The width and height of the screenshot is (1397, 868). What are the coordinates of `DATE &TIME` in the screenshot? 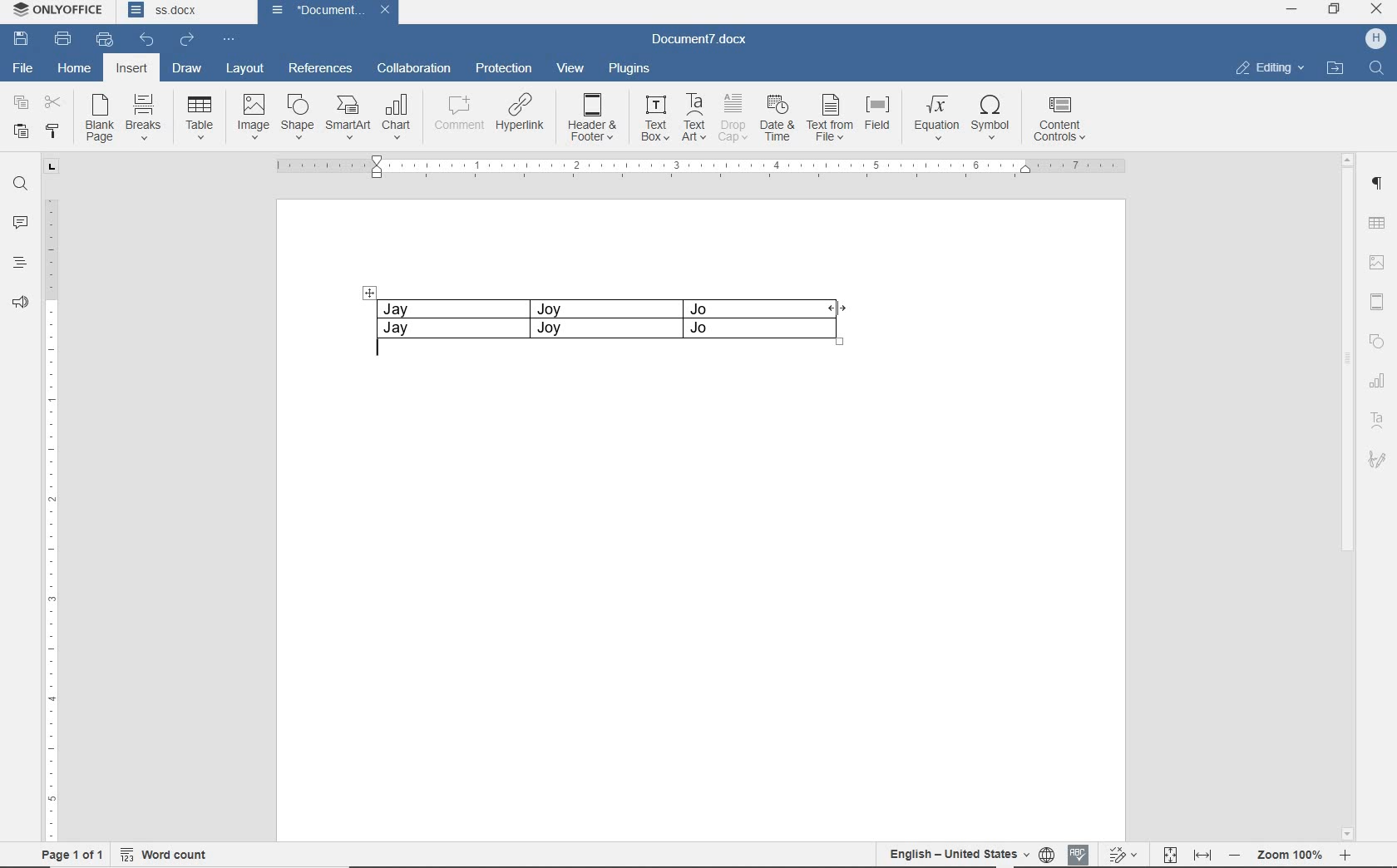 It's located at (777, 117).